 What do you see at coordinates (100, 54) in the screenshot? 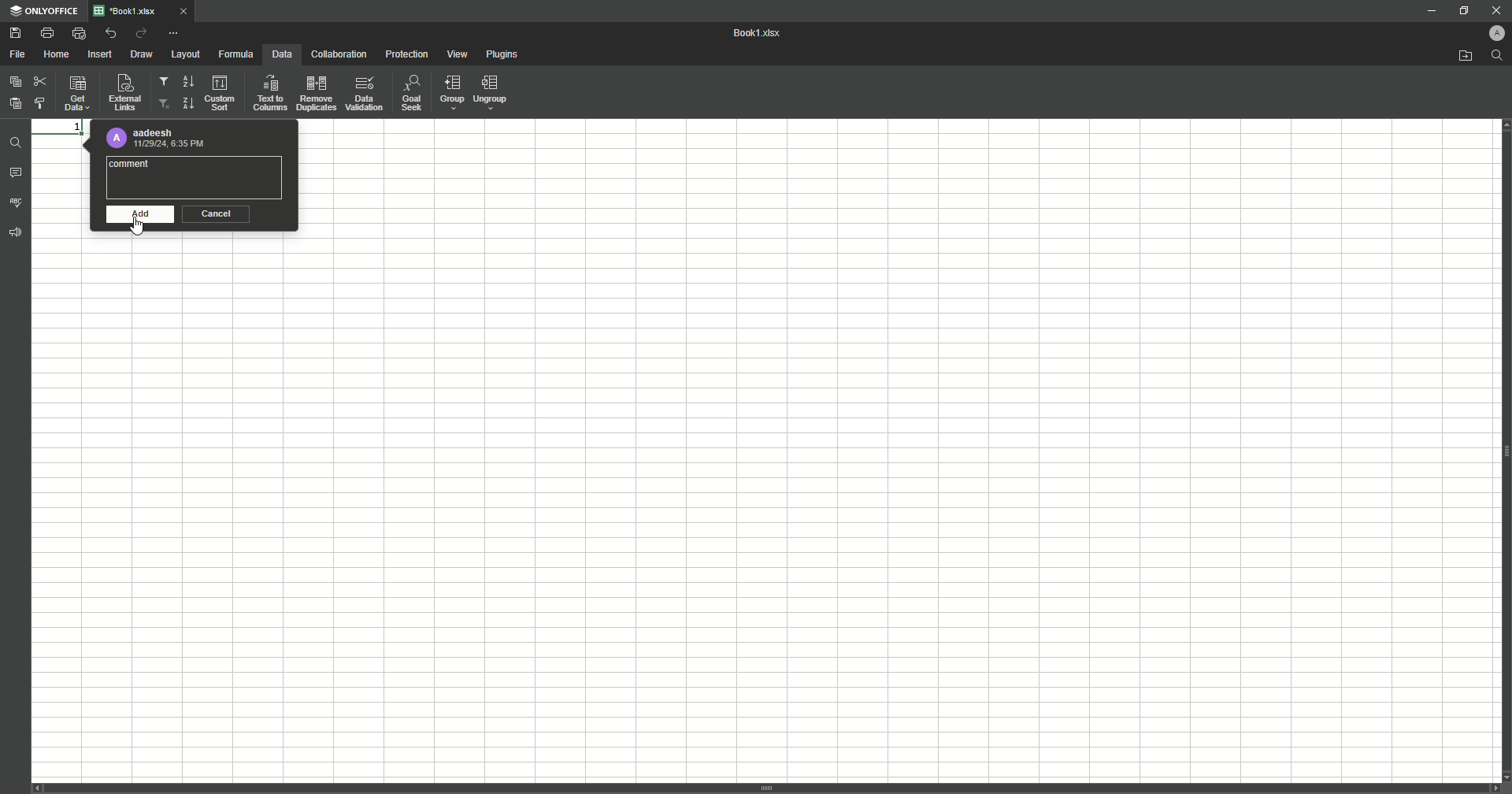
I see `Insert` at bounding box center [100, 54].